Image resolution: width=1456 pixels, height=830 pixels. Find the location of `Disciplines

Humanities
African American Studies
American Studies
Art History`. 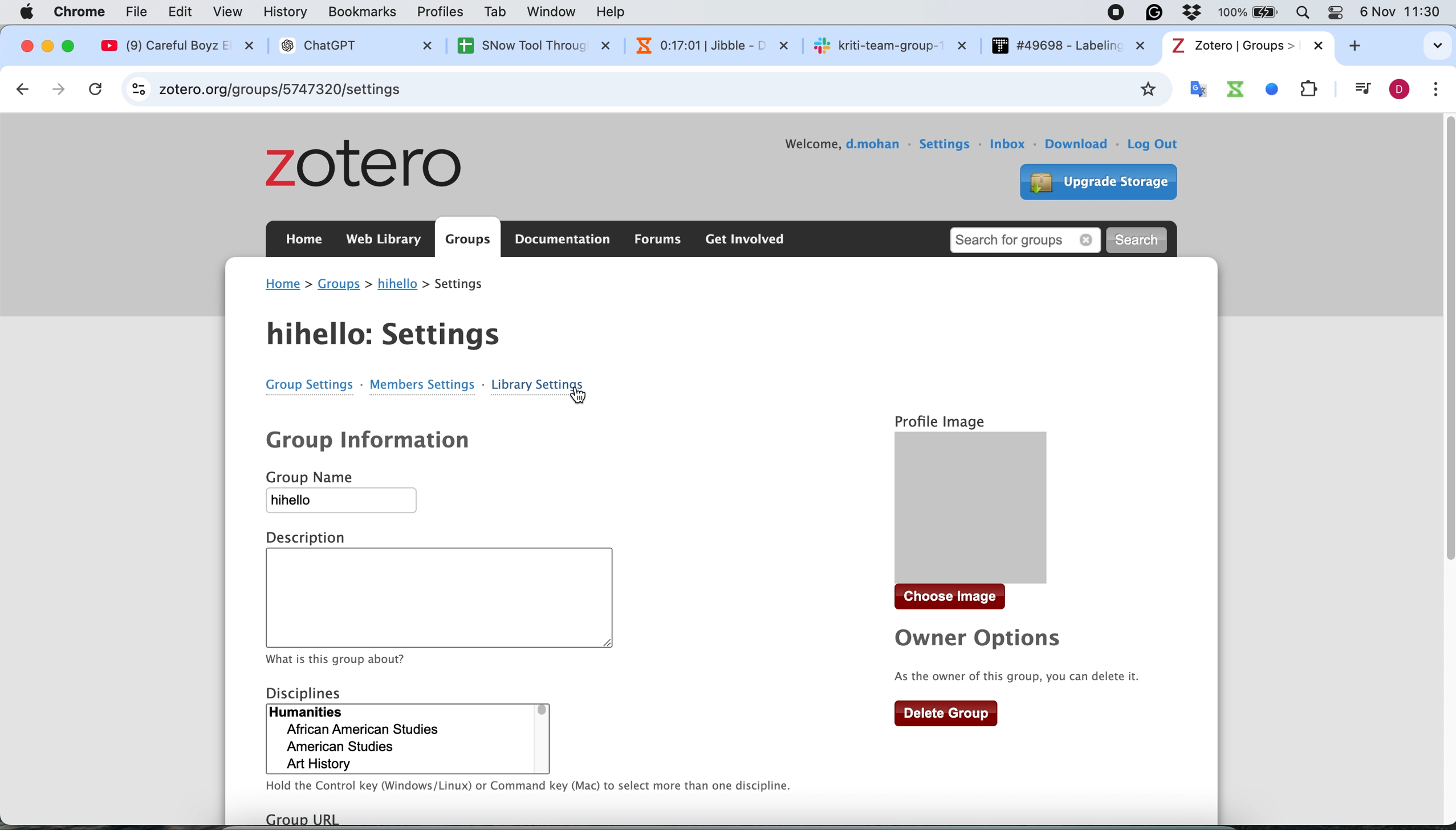

Disciplines

Humanities
African American Studies
American Studies
Art History is located at coordinates (411, 730).